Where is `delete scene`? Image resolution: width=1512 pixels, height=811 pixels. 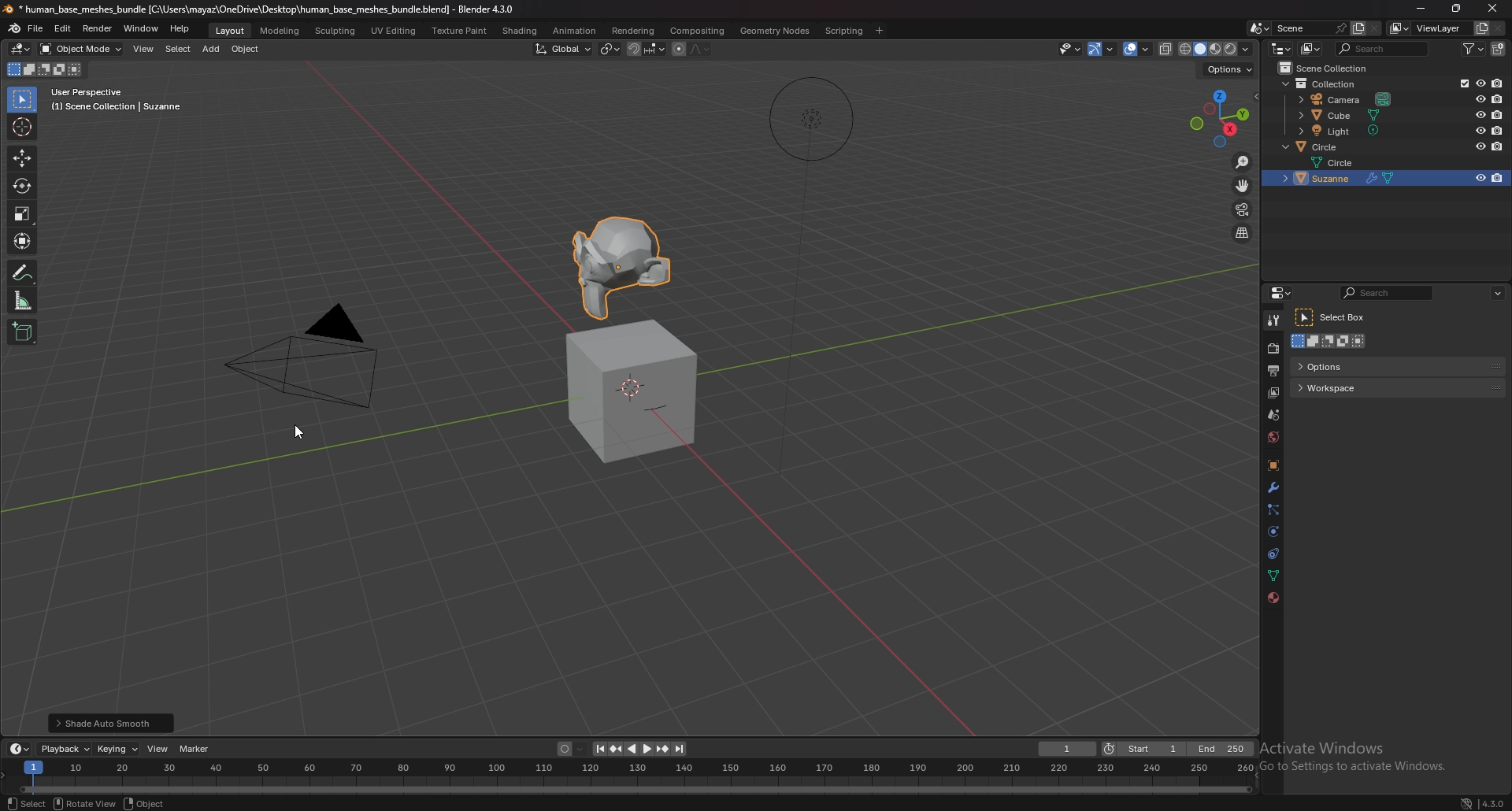
delete scene is located at coordinates (1377, 28).